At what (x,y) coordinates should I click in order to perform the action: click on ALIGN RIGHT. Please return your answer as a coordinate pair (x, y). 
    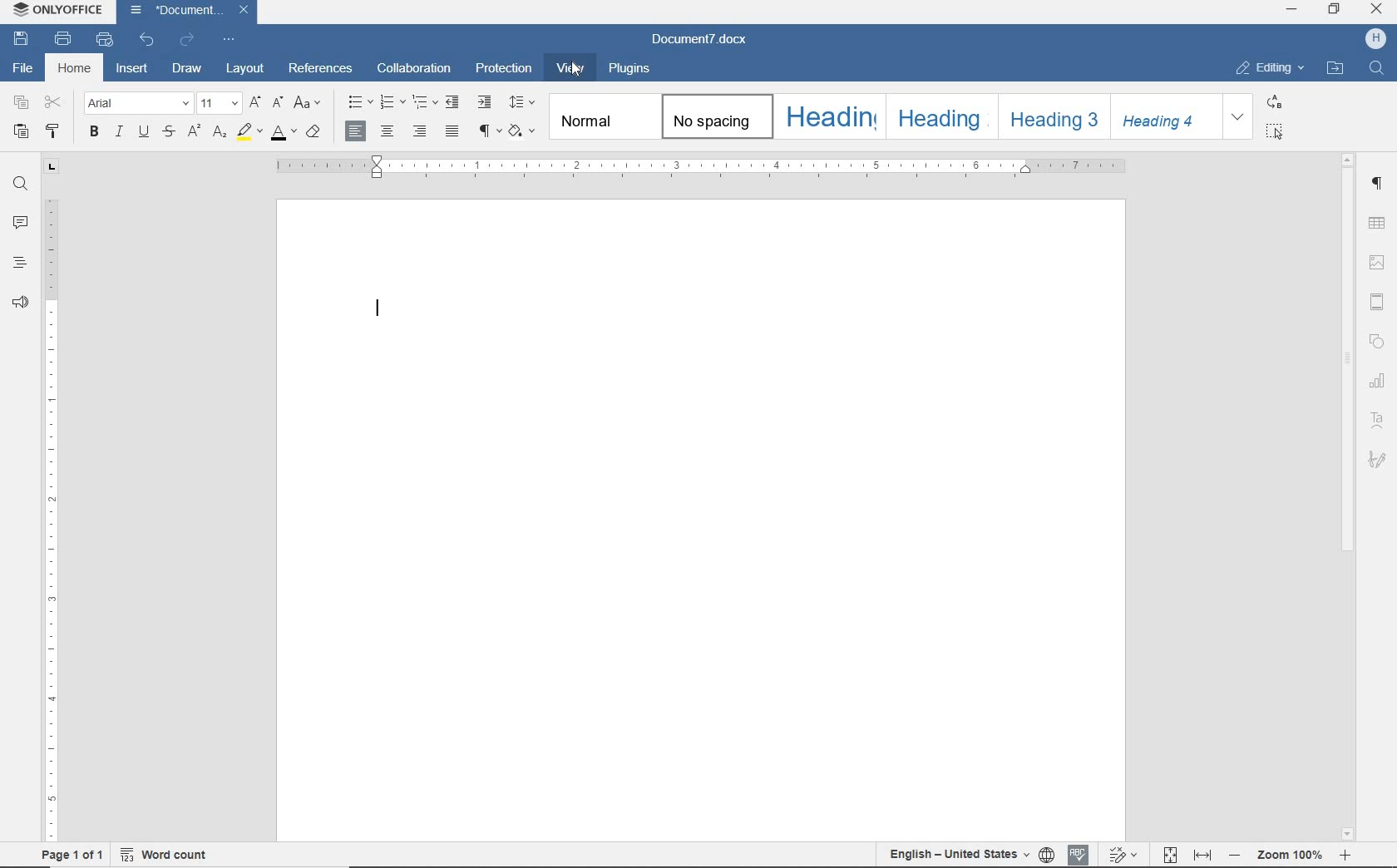
    Looking at the image, I should click on (418, 132).